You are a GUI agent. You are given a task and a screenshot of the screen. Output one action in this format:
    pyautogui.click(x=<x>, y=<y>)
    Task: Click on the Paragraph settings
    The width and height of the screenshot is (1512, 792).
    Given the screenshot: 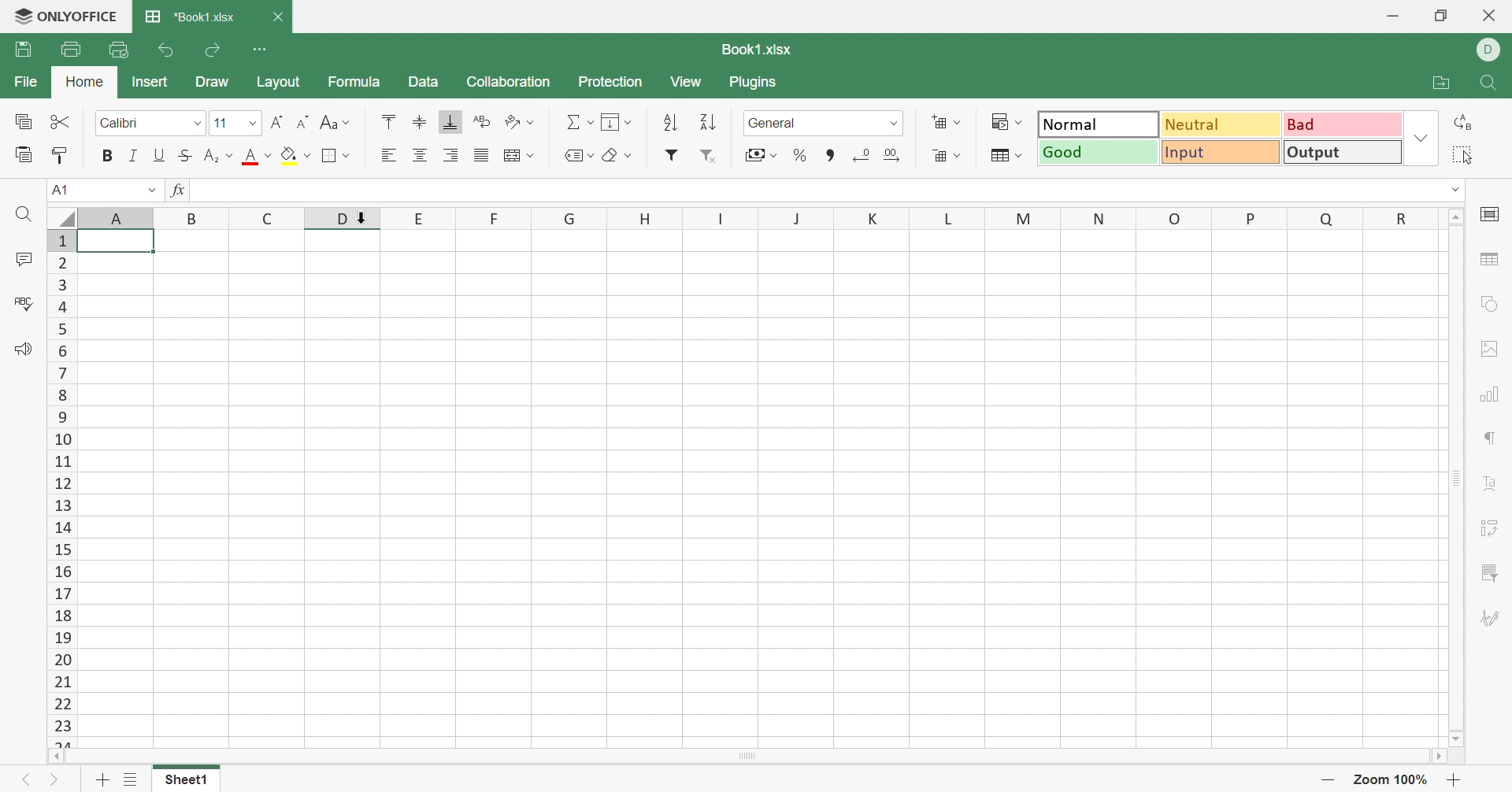 What is the action you would take?
    pyautogui.click(x=1492, y=437)
    